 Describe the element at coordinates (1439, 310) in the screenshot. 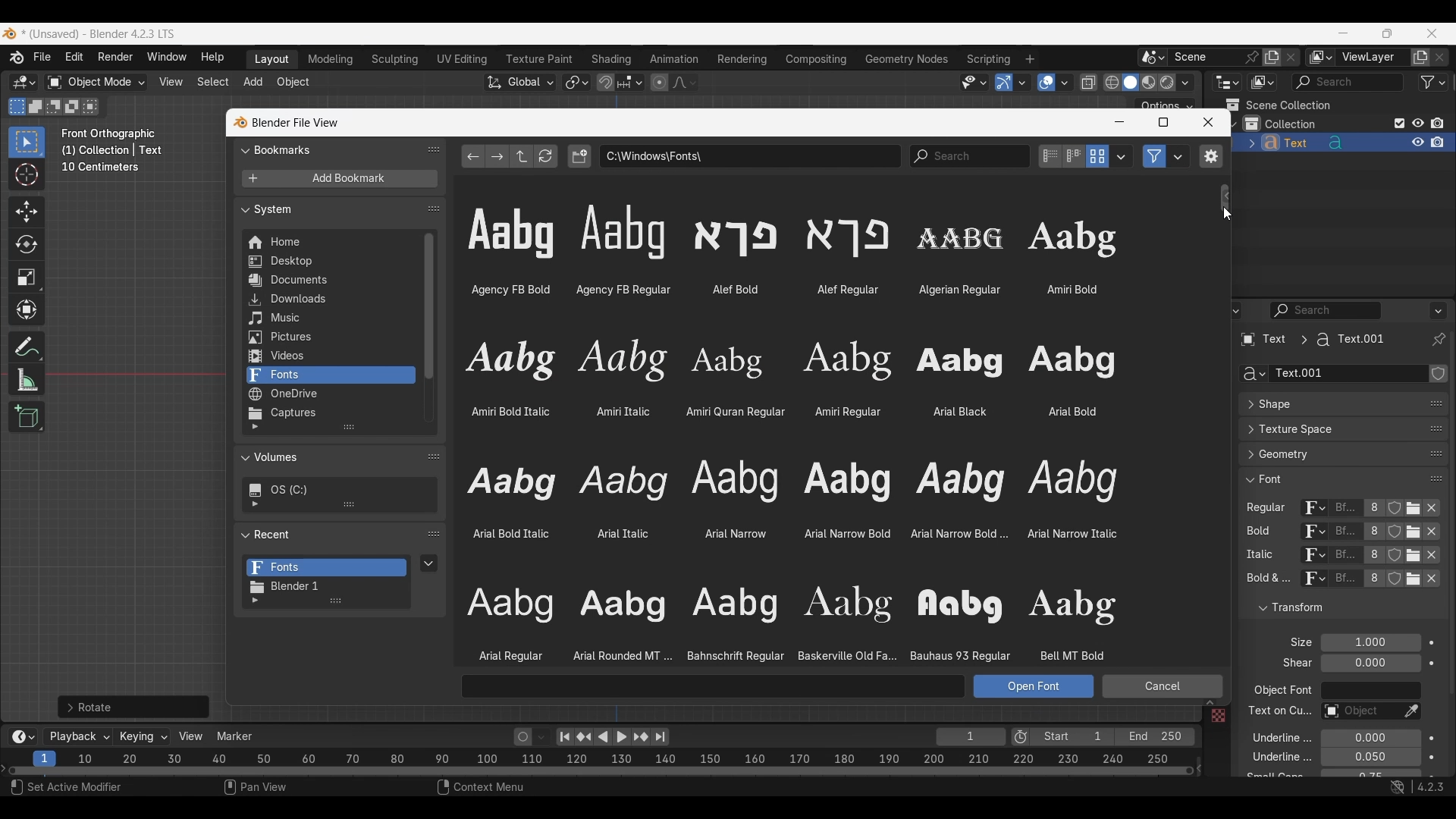

I see `Options for the properties editor` at that location.